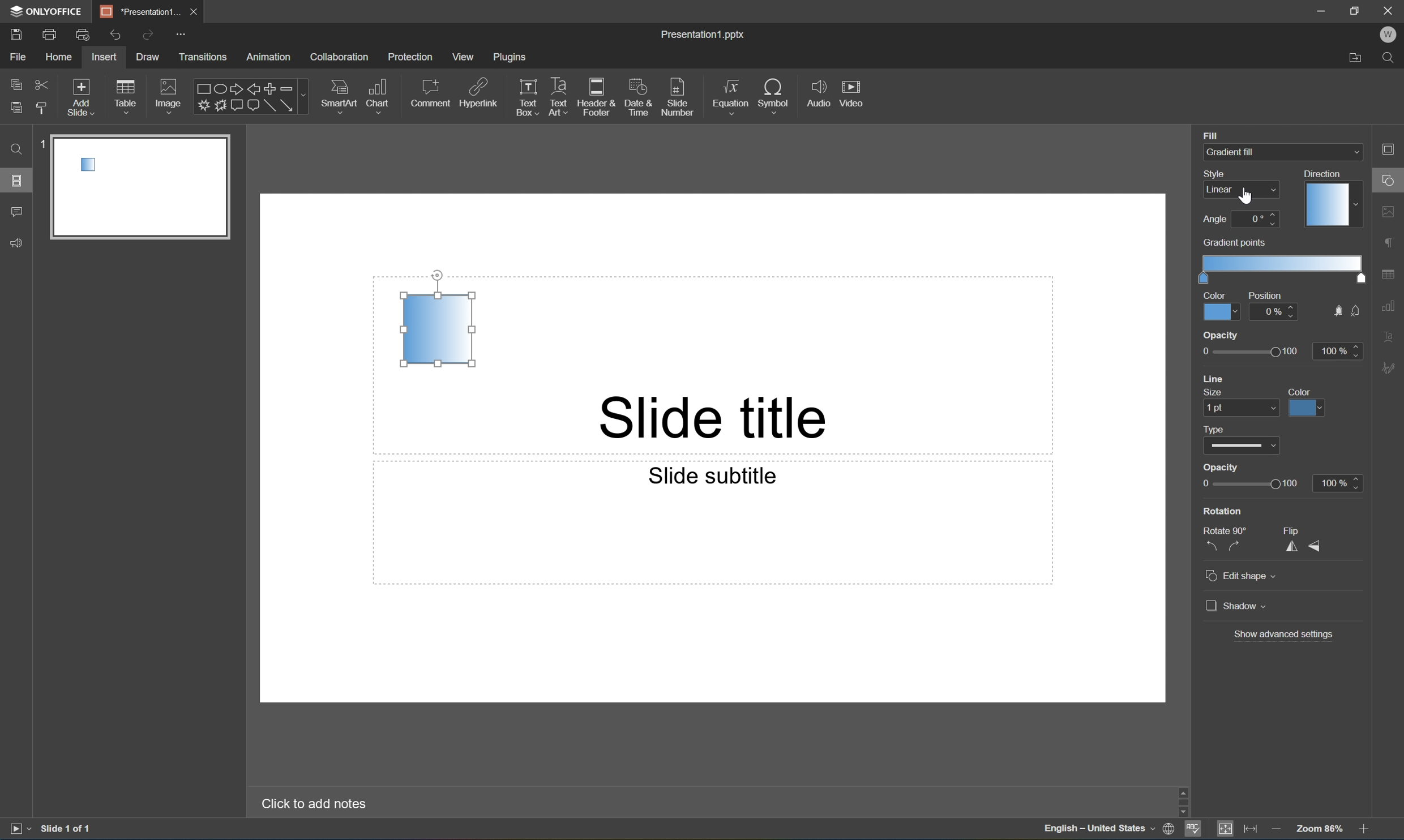  I want to click on Start slideshow, so click(19, 829).